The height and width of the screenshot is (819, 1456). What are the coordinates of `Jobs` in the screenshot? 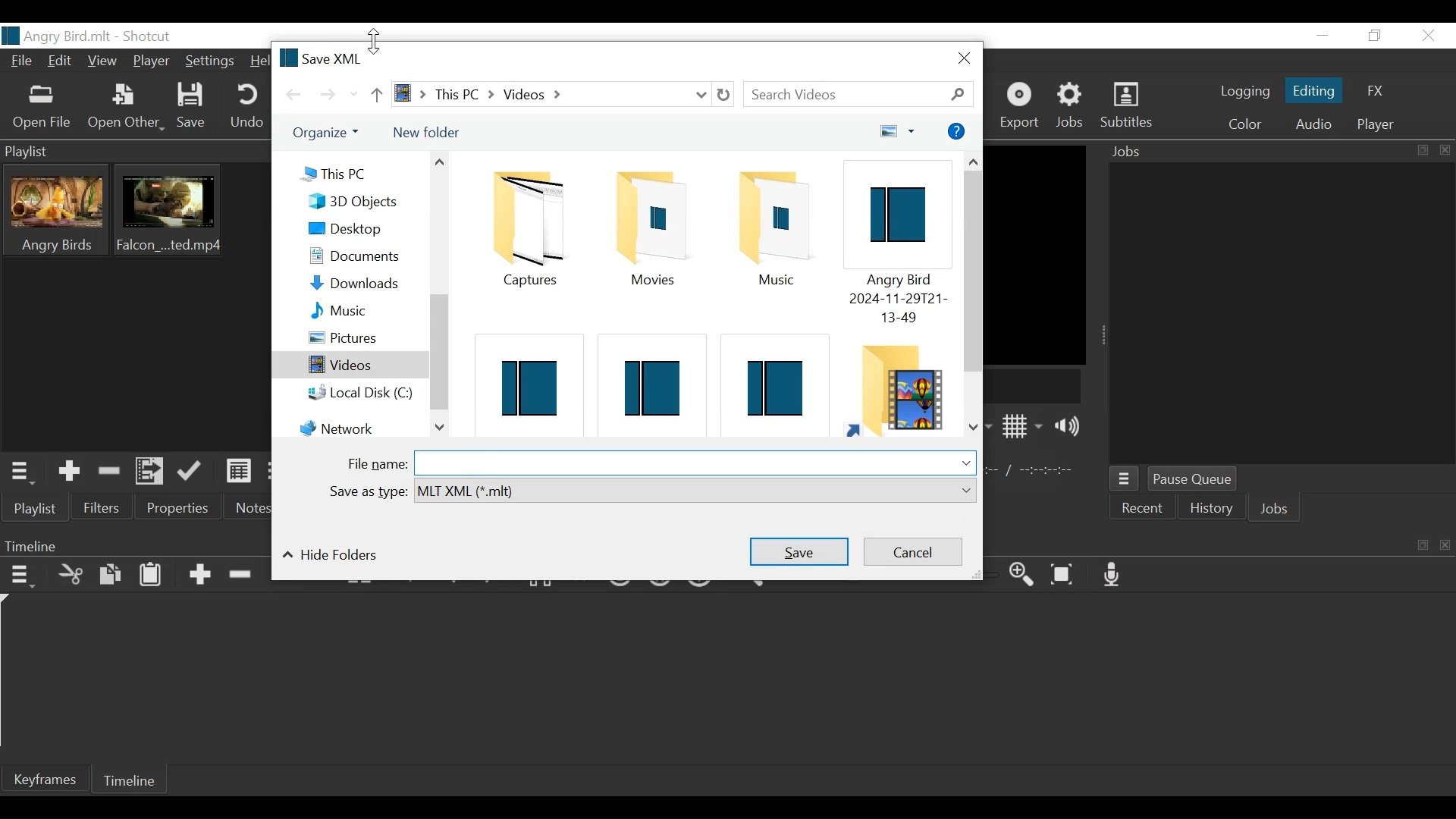 It's located at (1071, 106).